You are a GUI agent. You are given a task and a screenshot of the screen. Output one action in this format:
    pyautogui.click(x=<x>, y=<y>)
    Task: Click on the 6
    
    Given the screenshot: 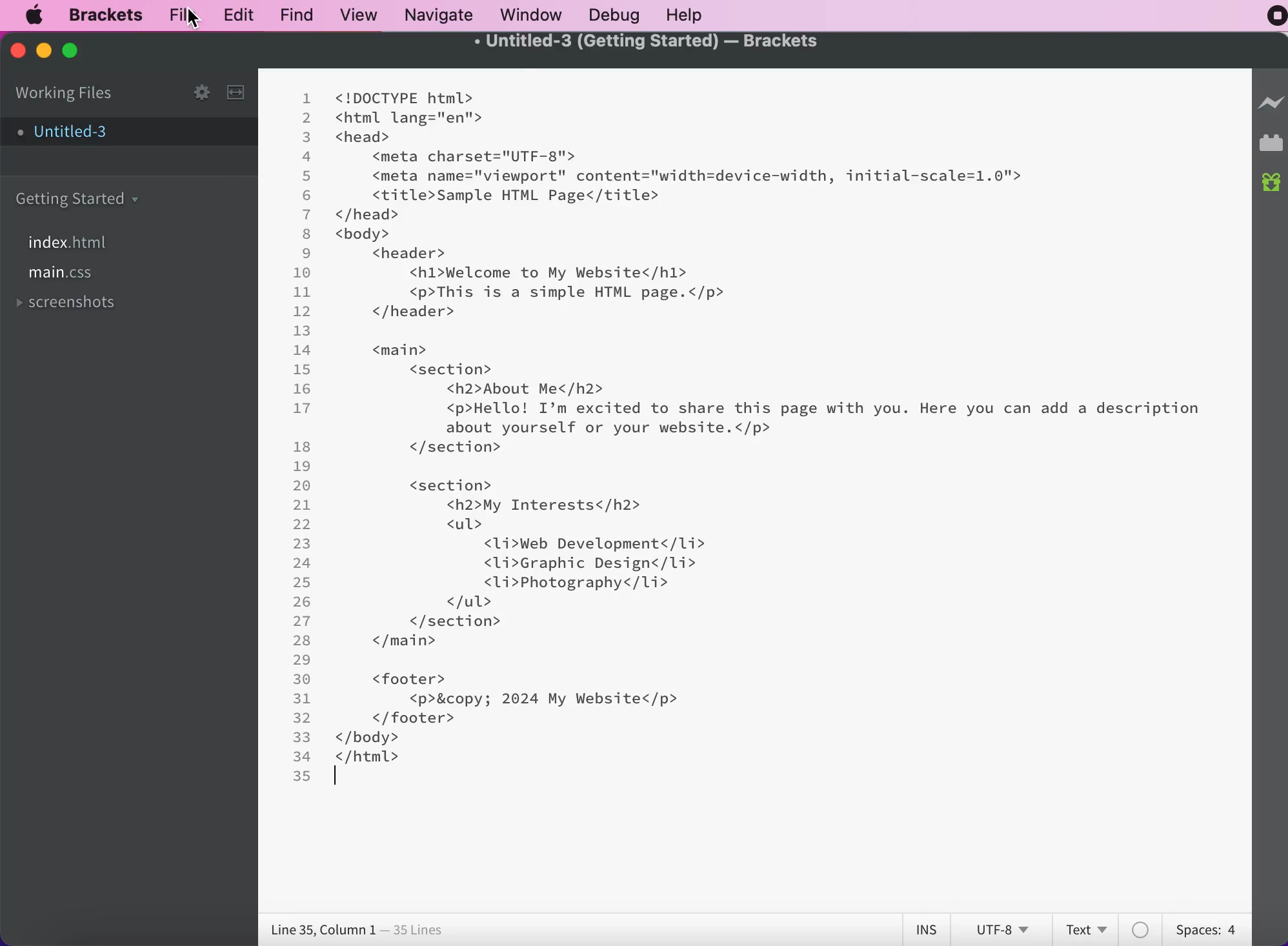 What is the action you would take?
    pyautogui.click(x=307, y=196)
    